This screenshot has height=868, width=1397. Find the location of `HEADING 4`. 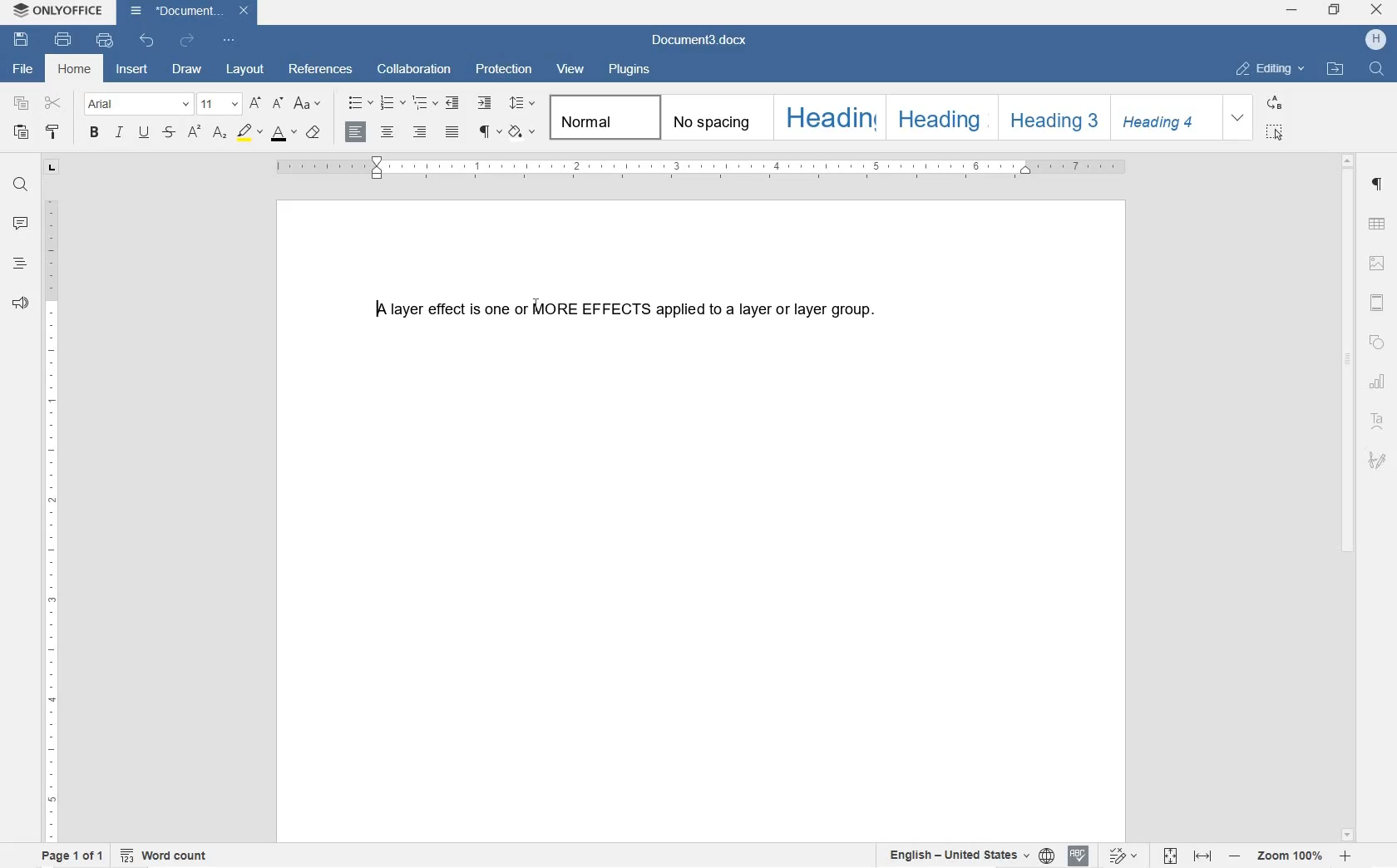

HEADING 4 is located at coordinates (1165, 118).